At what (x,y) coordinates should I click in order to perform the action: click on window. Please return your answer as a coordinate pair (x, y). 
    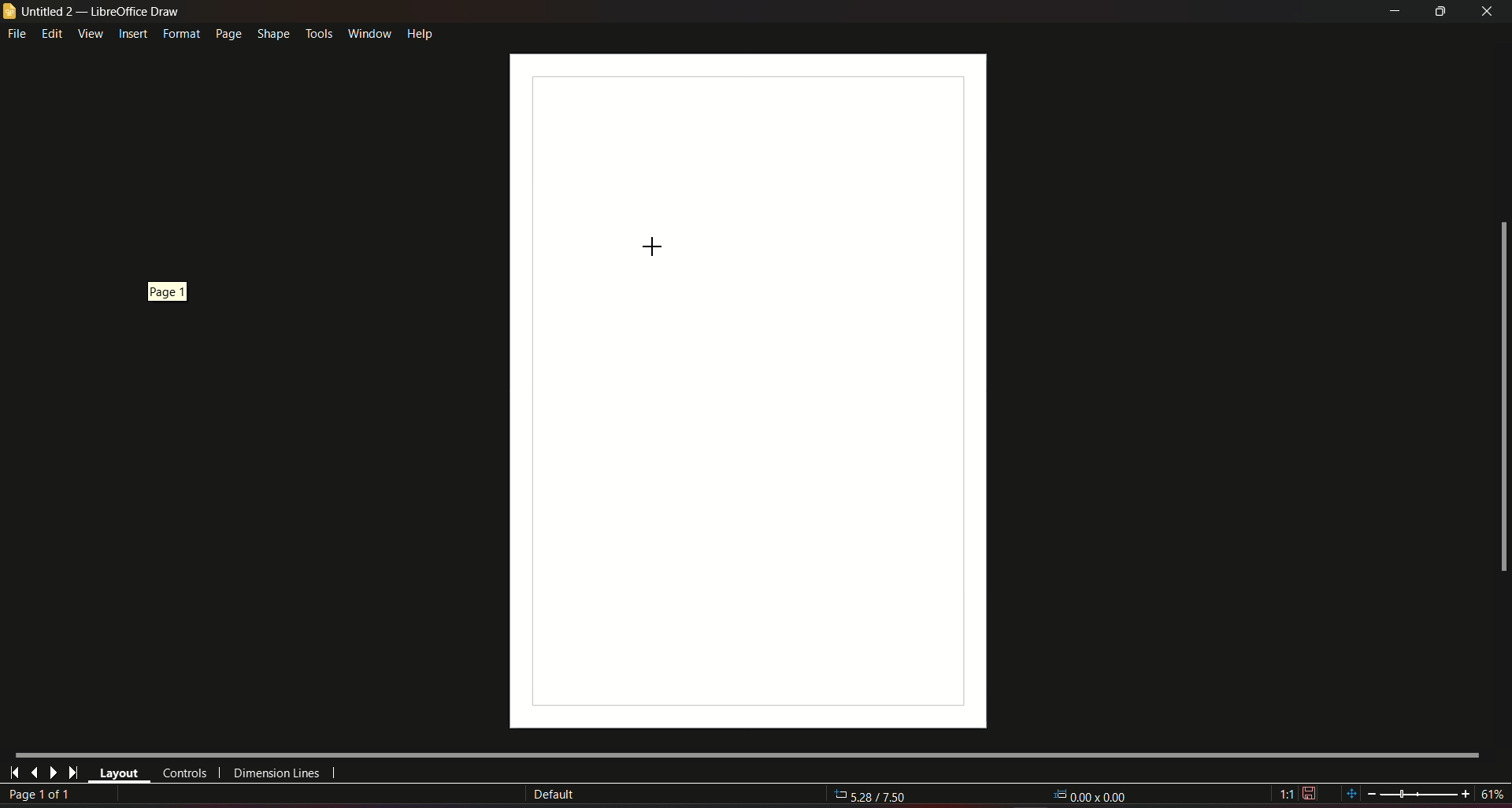
    Looking at the image, I should click on (368, 31).